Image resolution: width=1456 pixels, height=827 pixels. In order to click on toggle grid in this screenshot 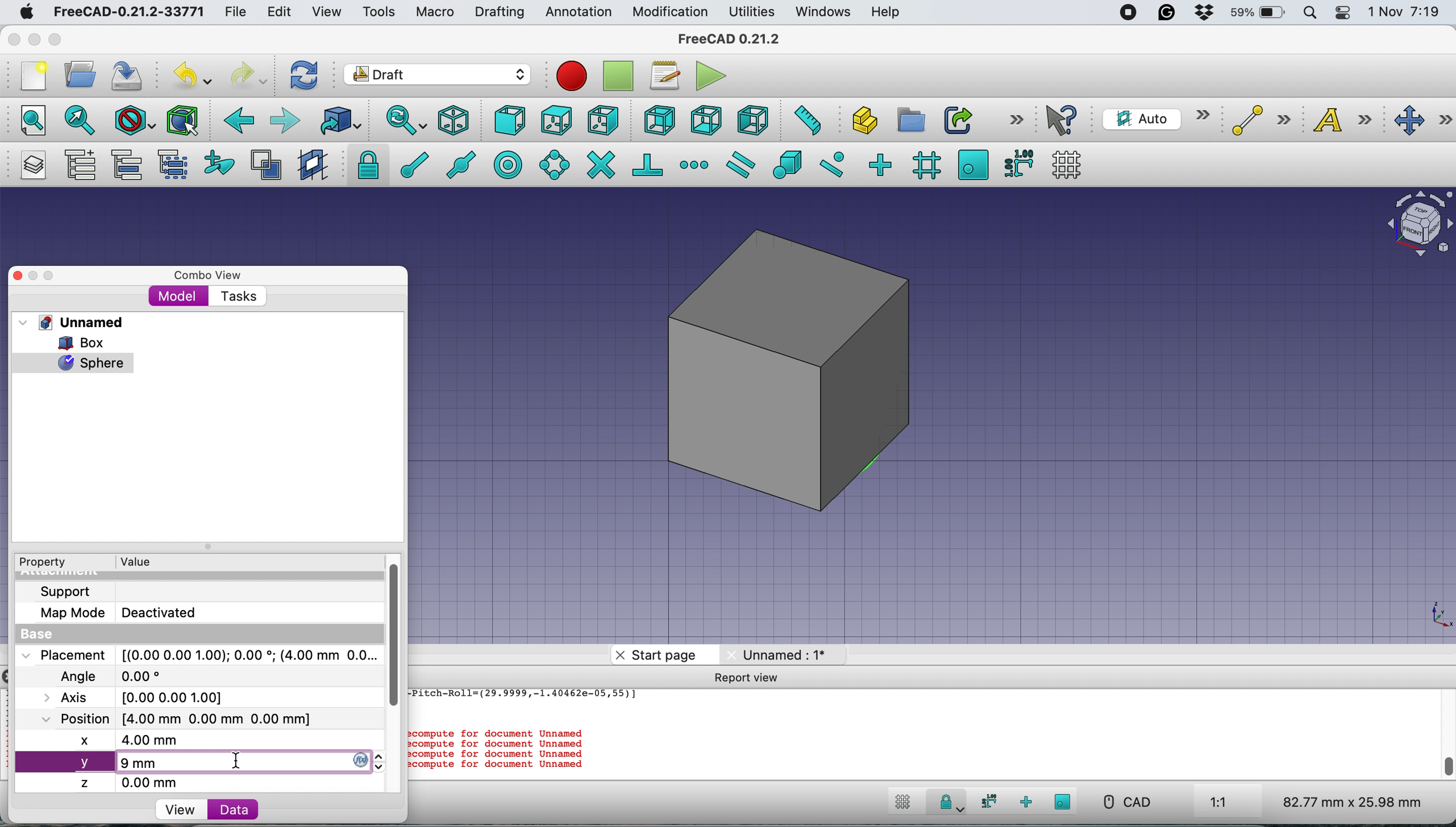, I will do `click(1067, 165)`.